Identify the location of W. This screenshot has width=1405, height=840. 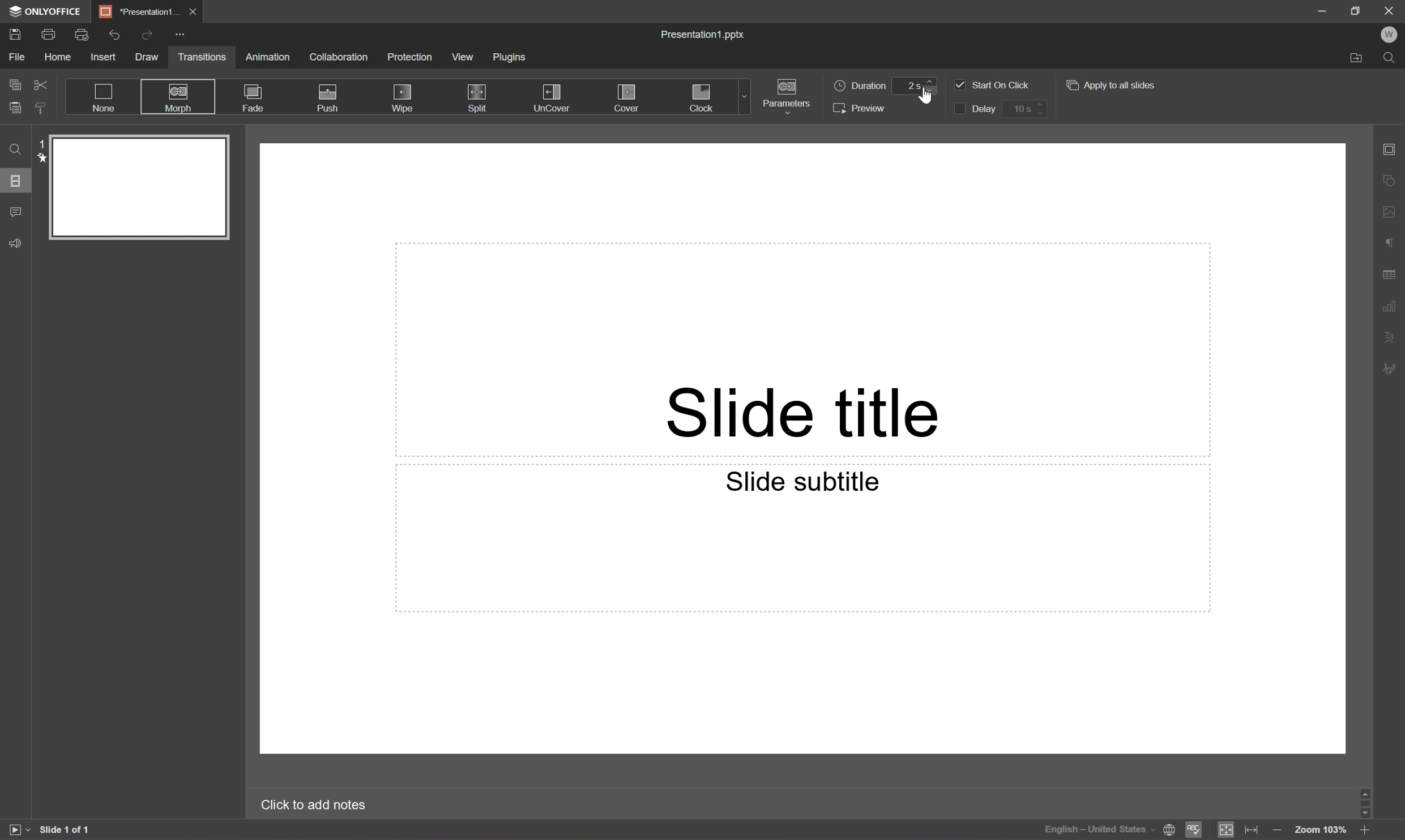
(1390, 34).